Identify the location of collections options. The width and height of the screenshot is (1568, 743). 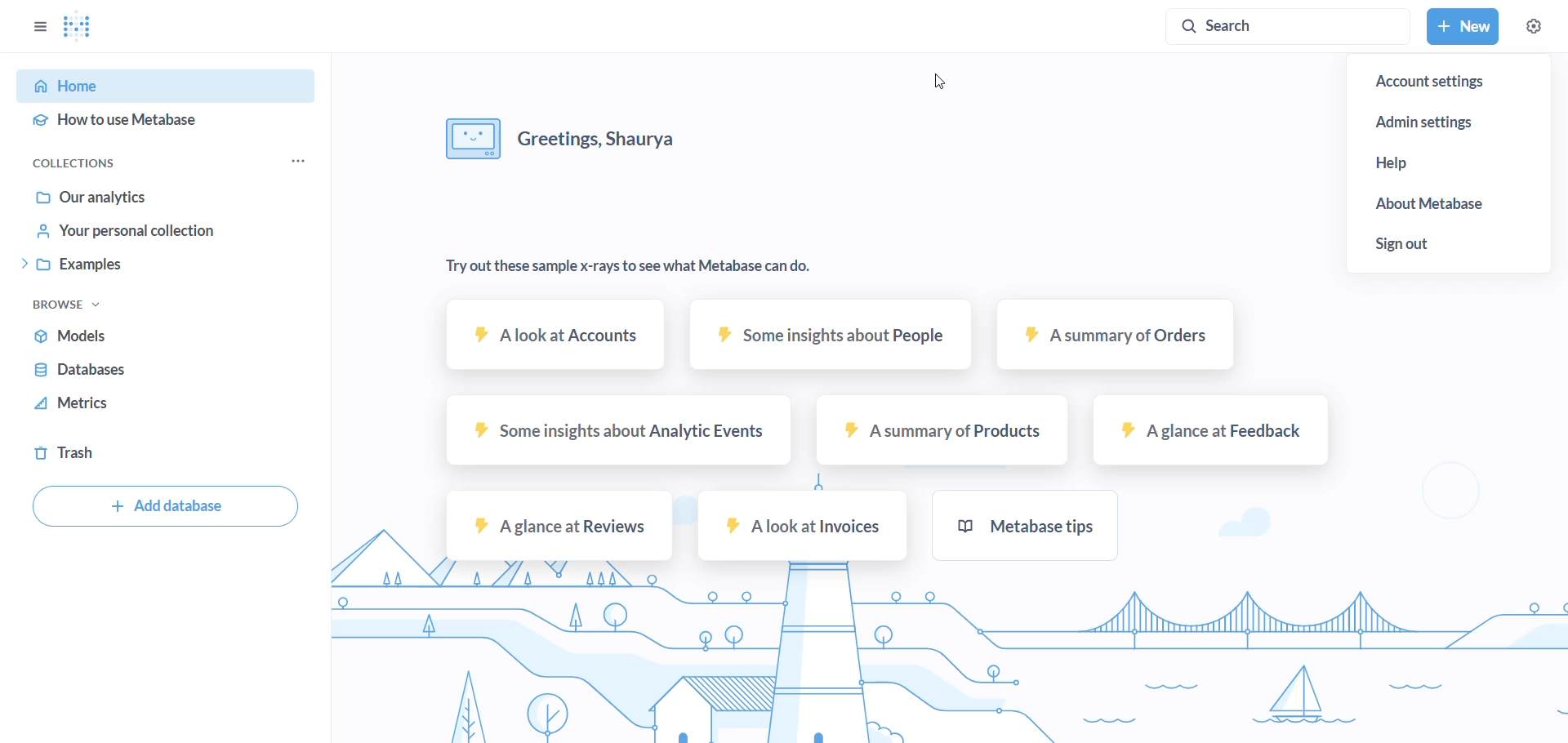
(301, 162).